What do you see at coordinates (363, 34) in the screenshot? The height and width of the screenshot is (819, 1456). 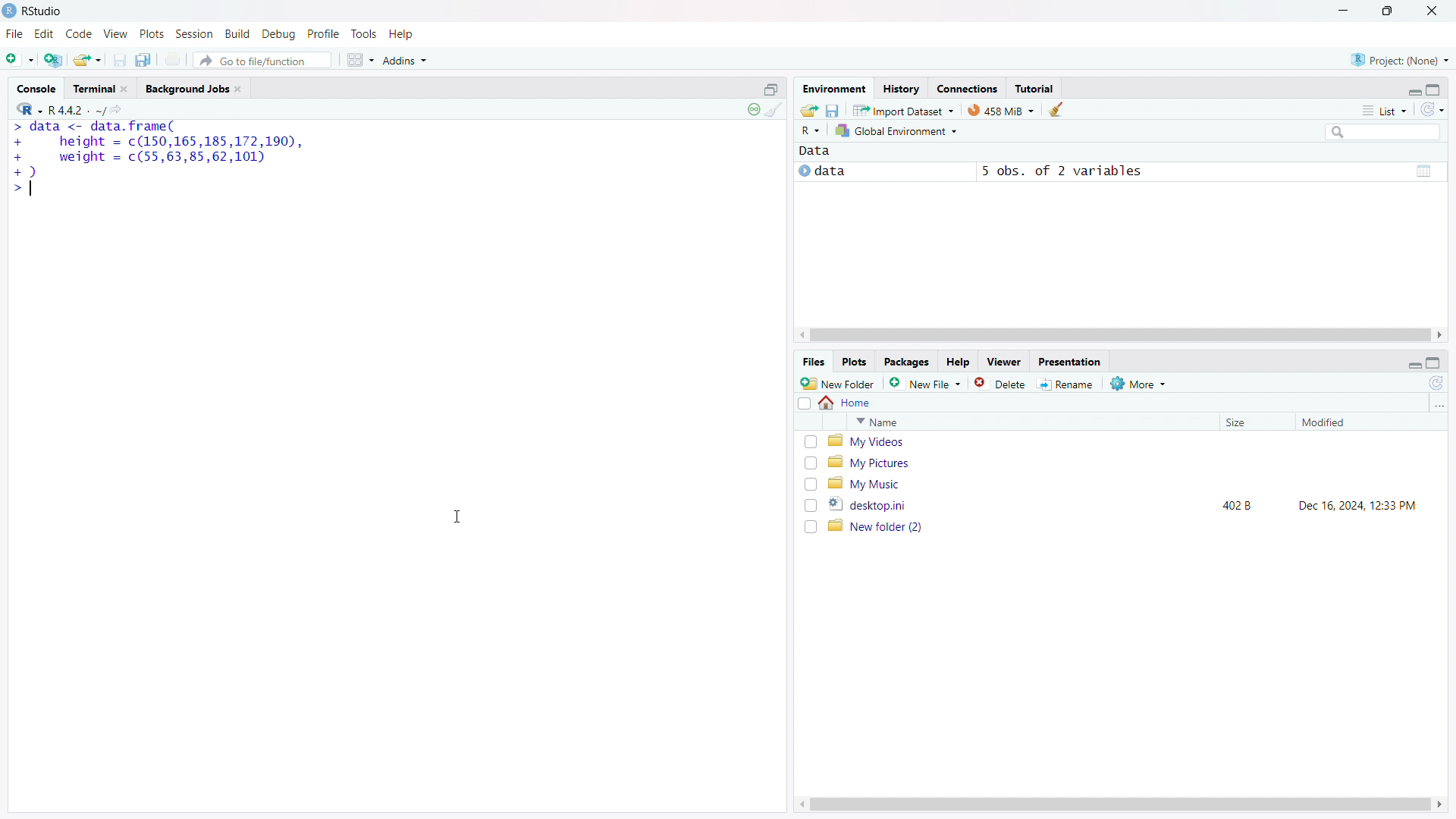 I see `tools` at bounding box center [363, 34].